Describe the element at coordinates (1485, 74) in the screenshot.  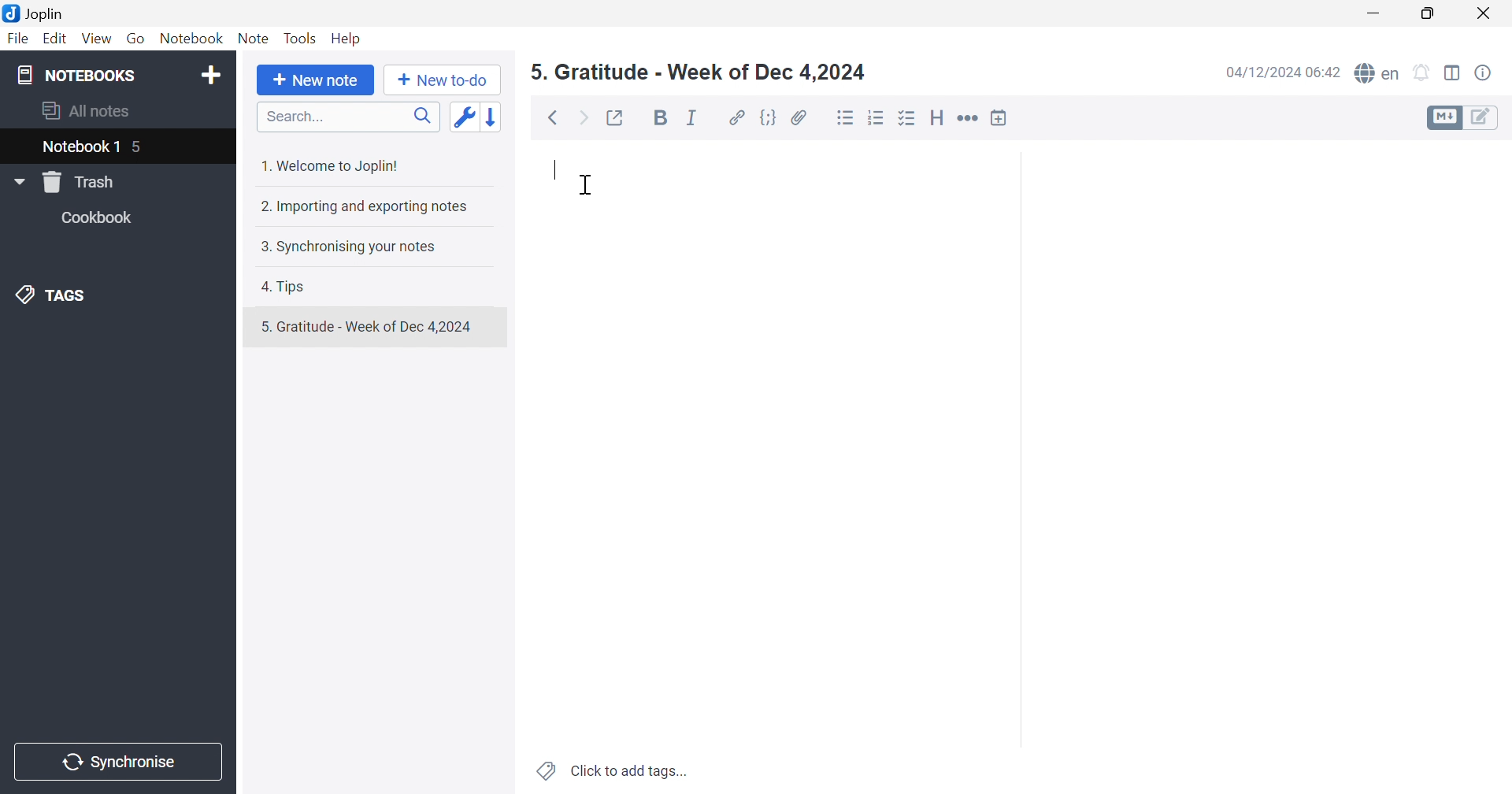
I see `Note properties` at that location.